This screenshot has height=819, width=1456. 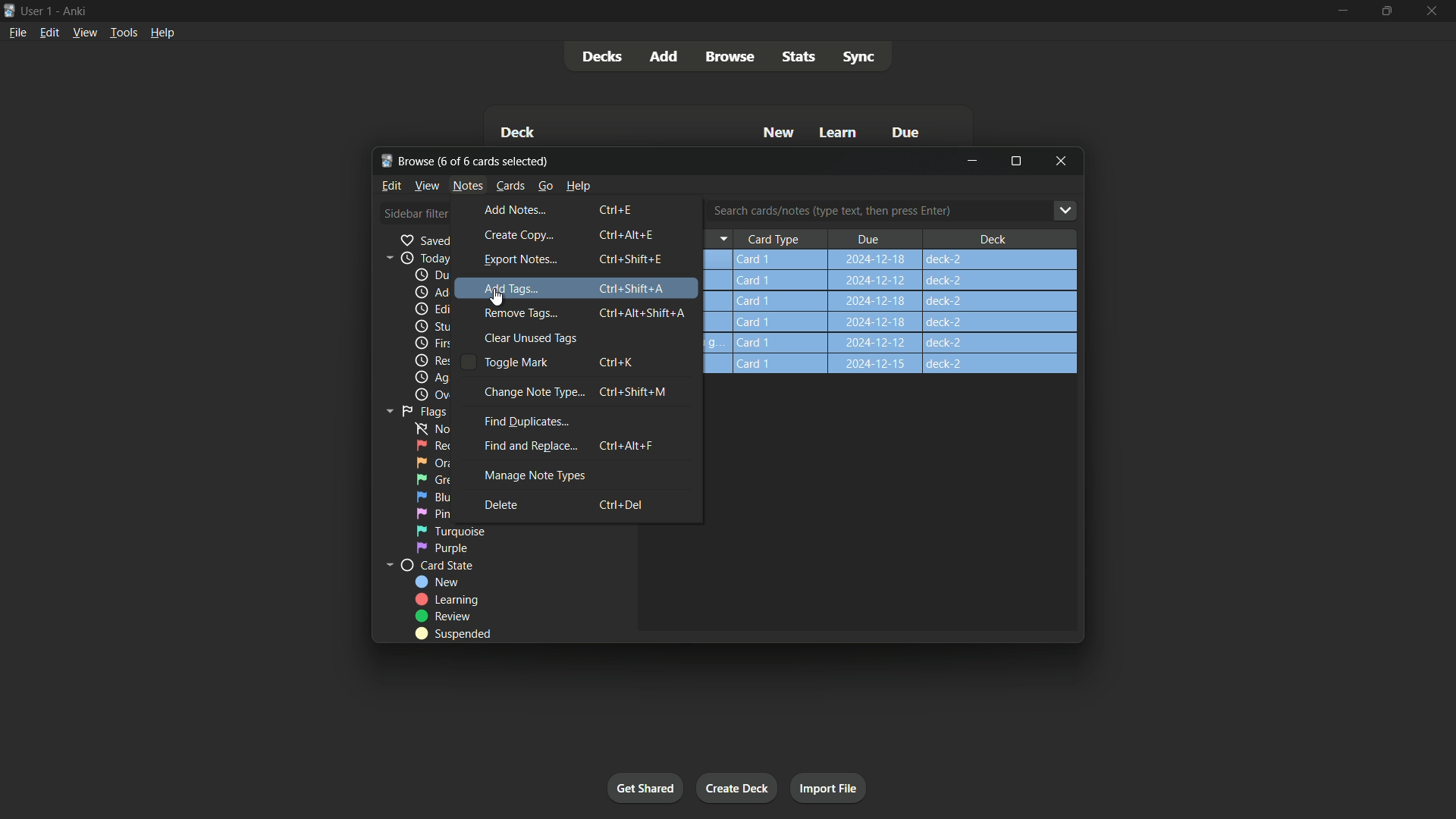 What do you see at coordinates (495, 162) in the screenshot?
I see `One of six cards selected` at bounding box center [495, 162].